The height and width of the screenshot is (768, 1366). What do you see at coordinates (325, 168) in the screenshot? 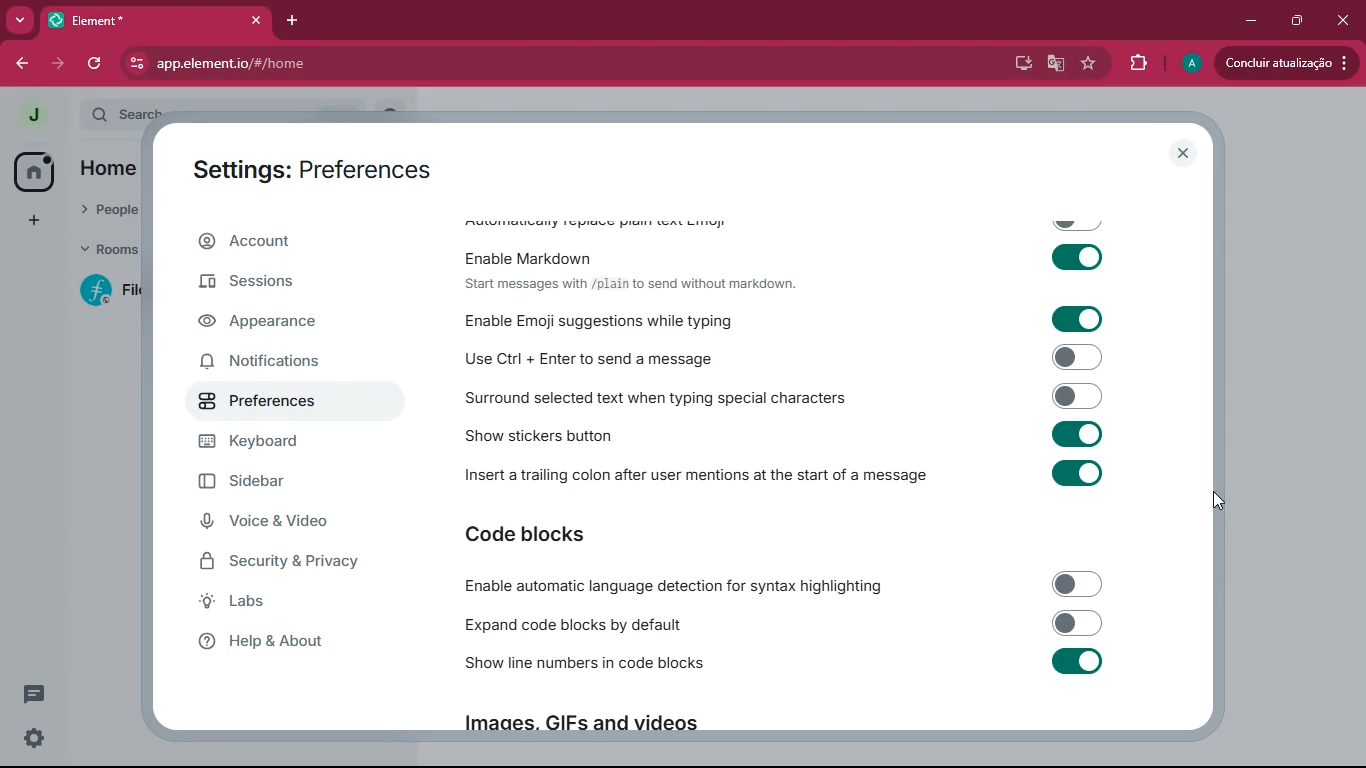
I see `settings : preferences` at bounding box center [325, 168].